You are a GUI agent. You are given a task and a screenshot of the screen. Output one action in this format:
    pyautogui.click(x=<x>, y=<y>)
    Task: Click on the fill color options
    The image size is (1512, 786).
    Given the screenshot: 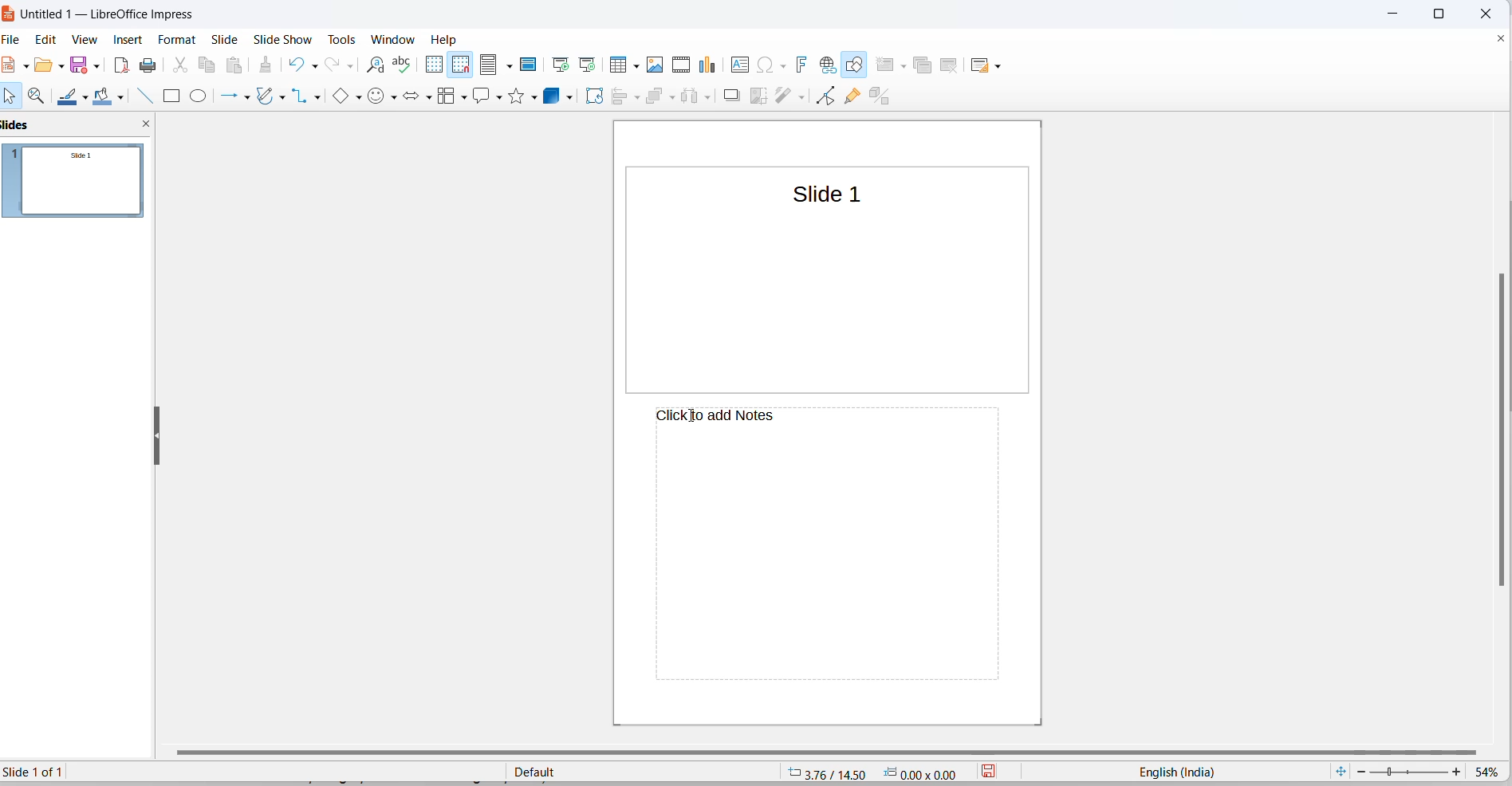 What is the action you would take?
    pyautogui.click(x=124, y=96)
    